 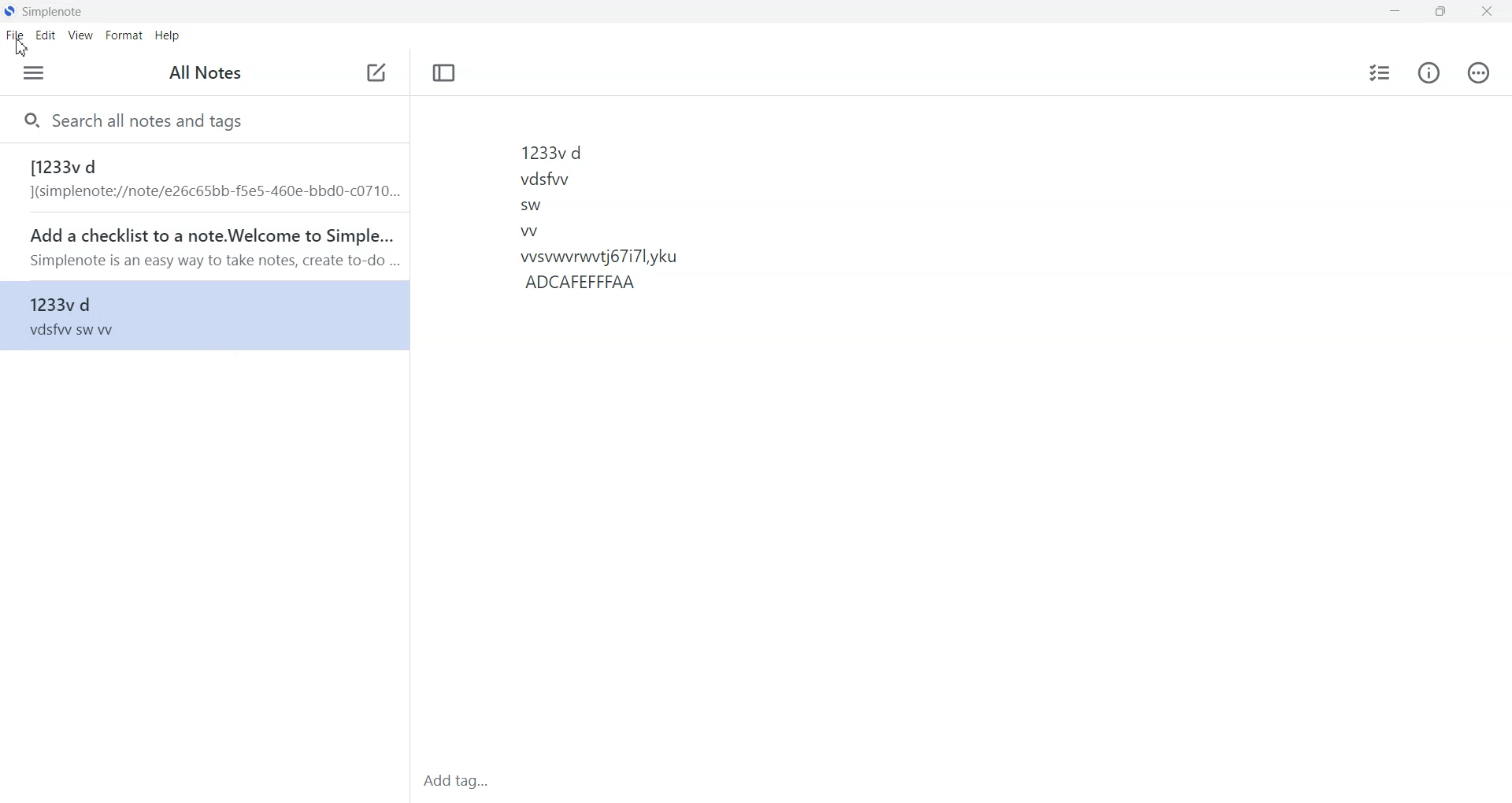 I want to click on Toggle Focus Mode, so click(x=444, y=73).